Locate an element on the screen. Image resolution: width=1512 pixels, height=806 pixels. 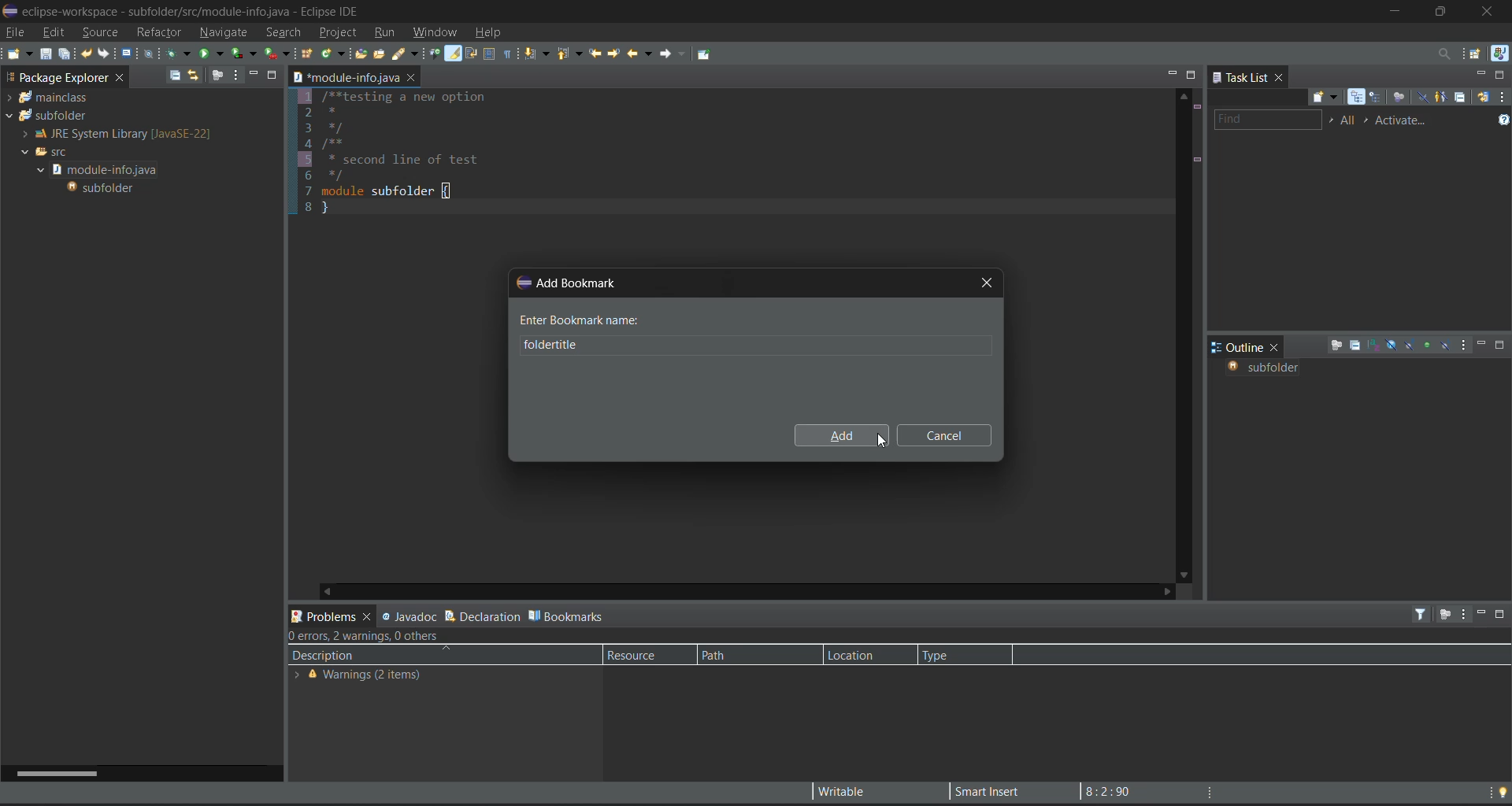
find is located at coordinates (1270, 119).